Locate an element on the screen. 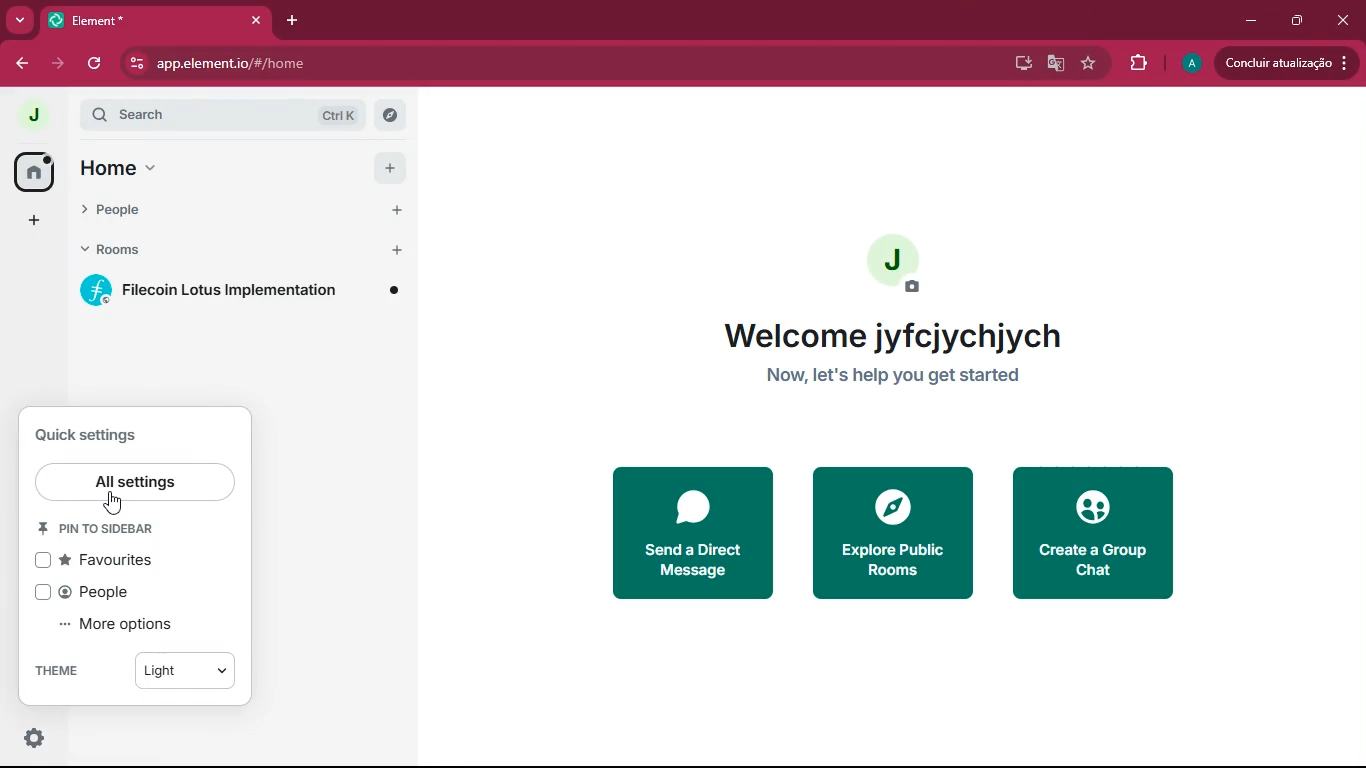 The image size is (1366, 768). maximize is located at coordinates (1300, 22).